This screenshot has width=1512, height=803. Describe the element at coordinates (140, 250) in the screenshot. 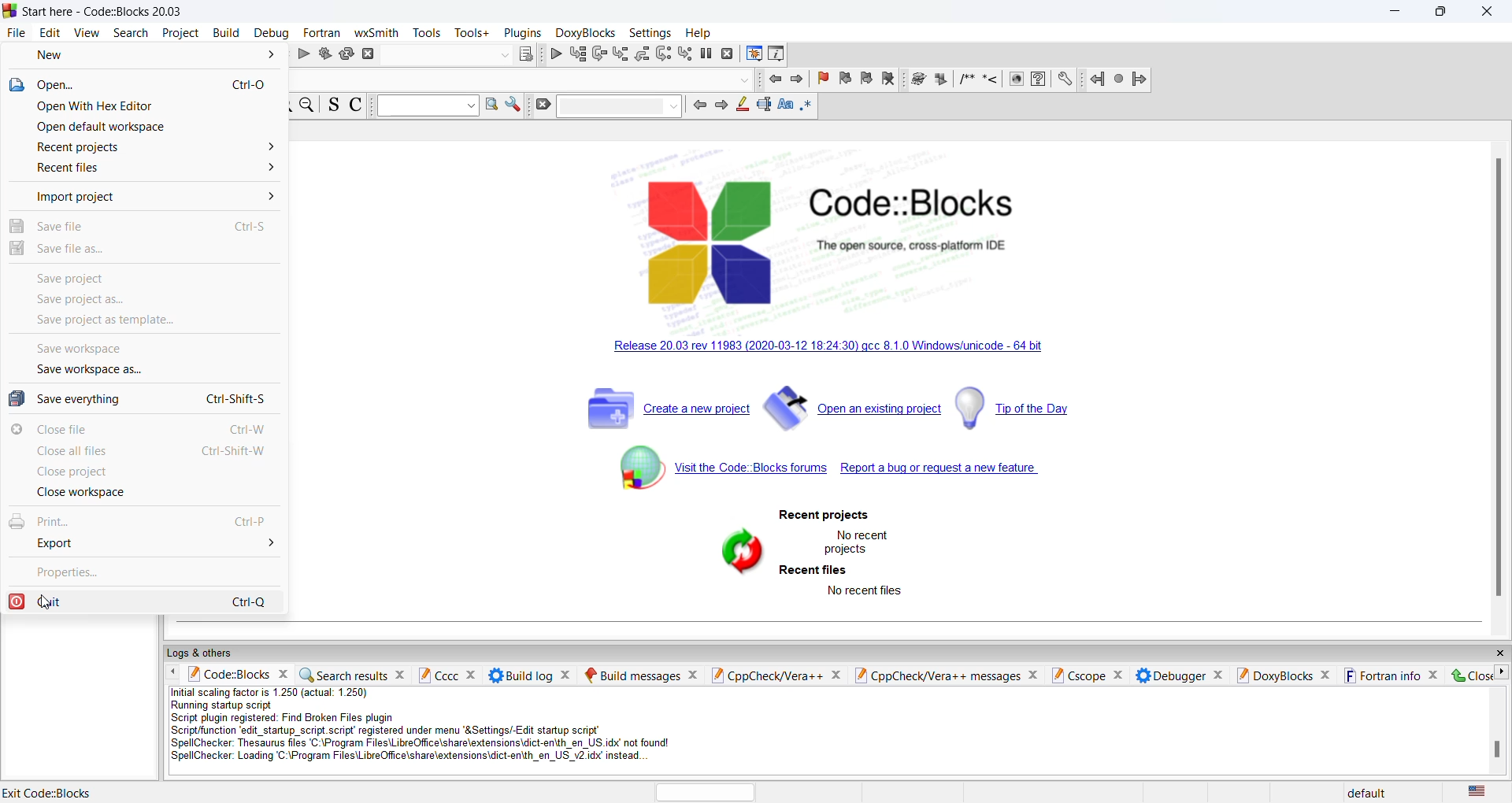

I see `save file as` at that location.